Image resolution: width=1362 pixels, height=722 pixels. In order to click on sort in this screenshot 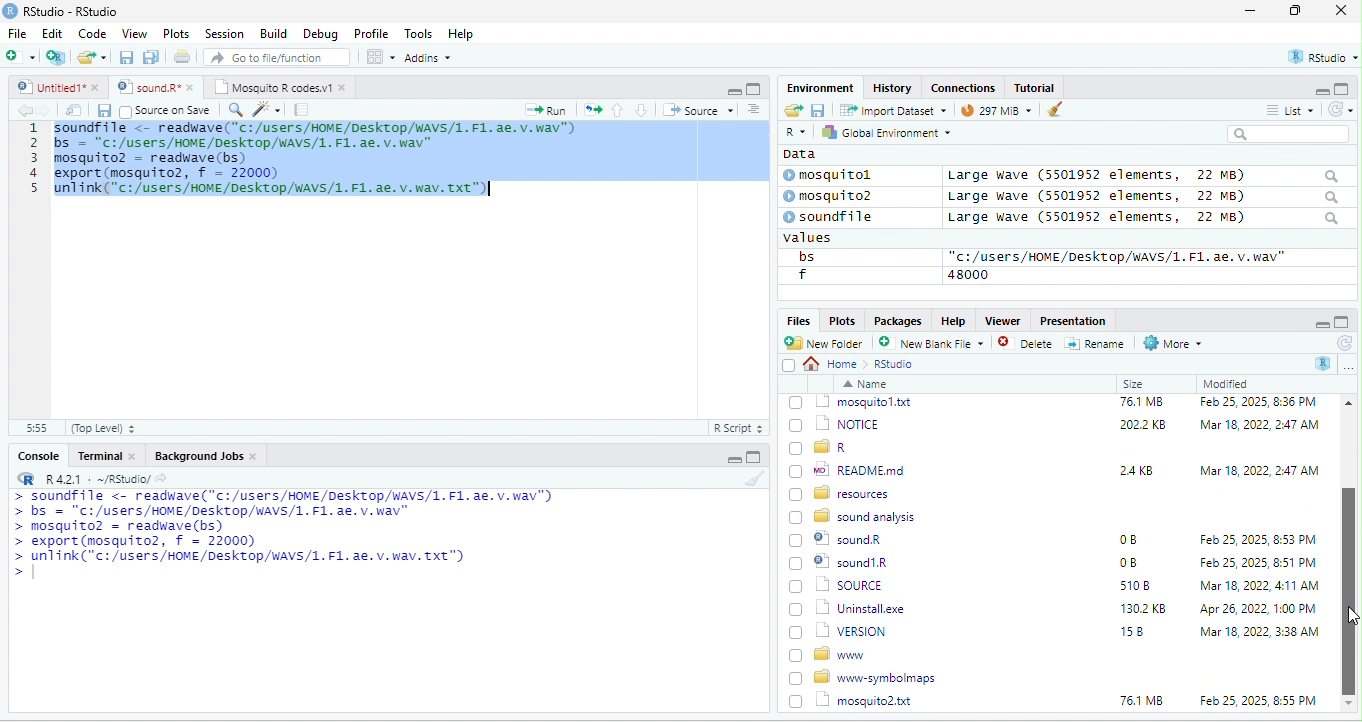, I will do `click(753, 108)`.